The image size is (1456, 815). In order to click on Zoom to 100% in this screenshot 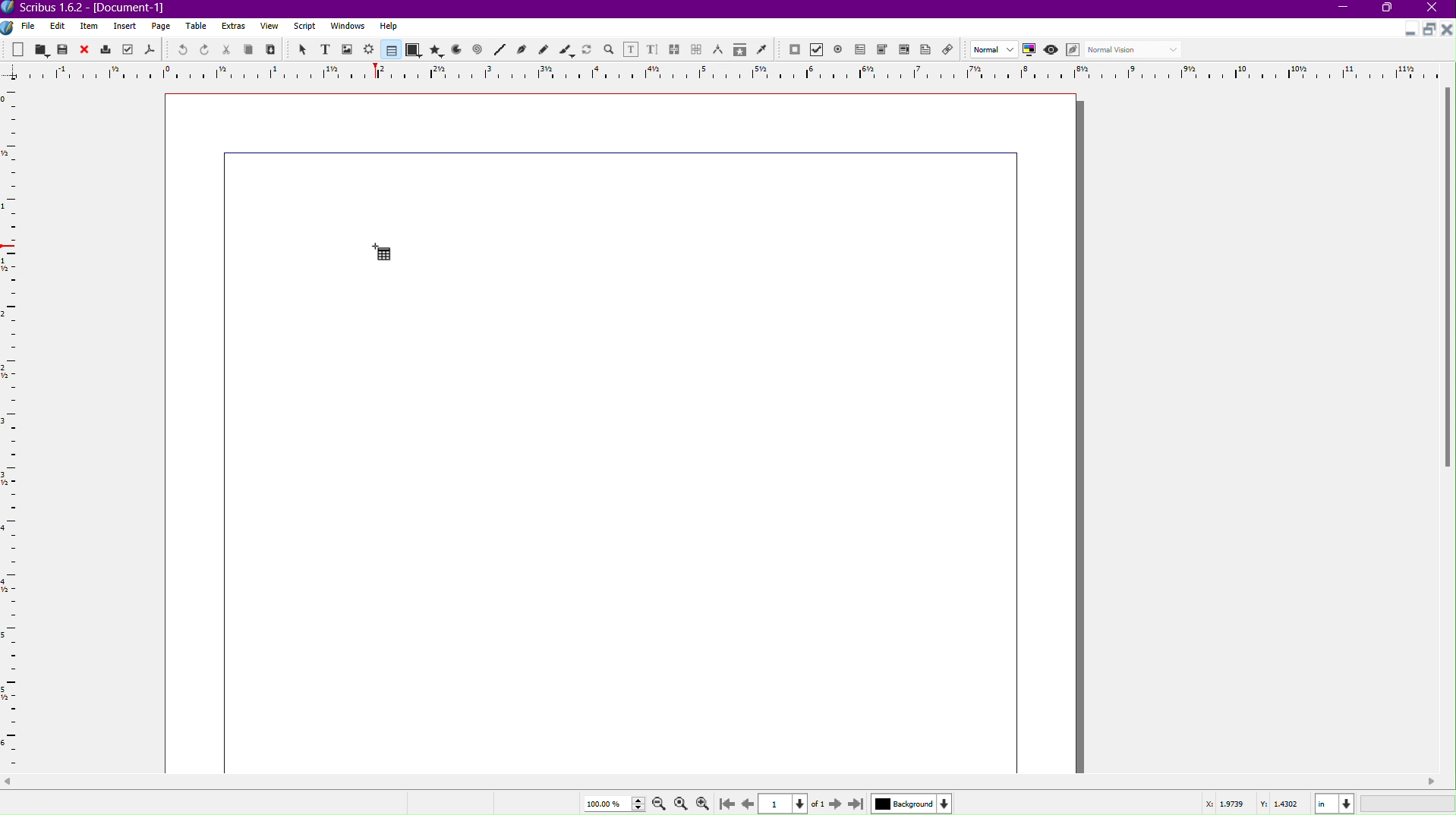, I will do `click(680, 801)`.